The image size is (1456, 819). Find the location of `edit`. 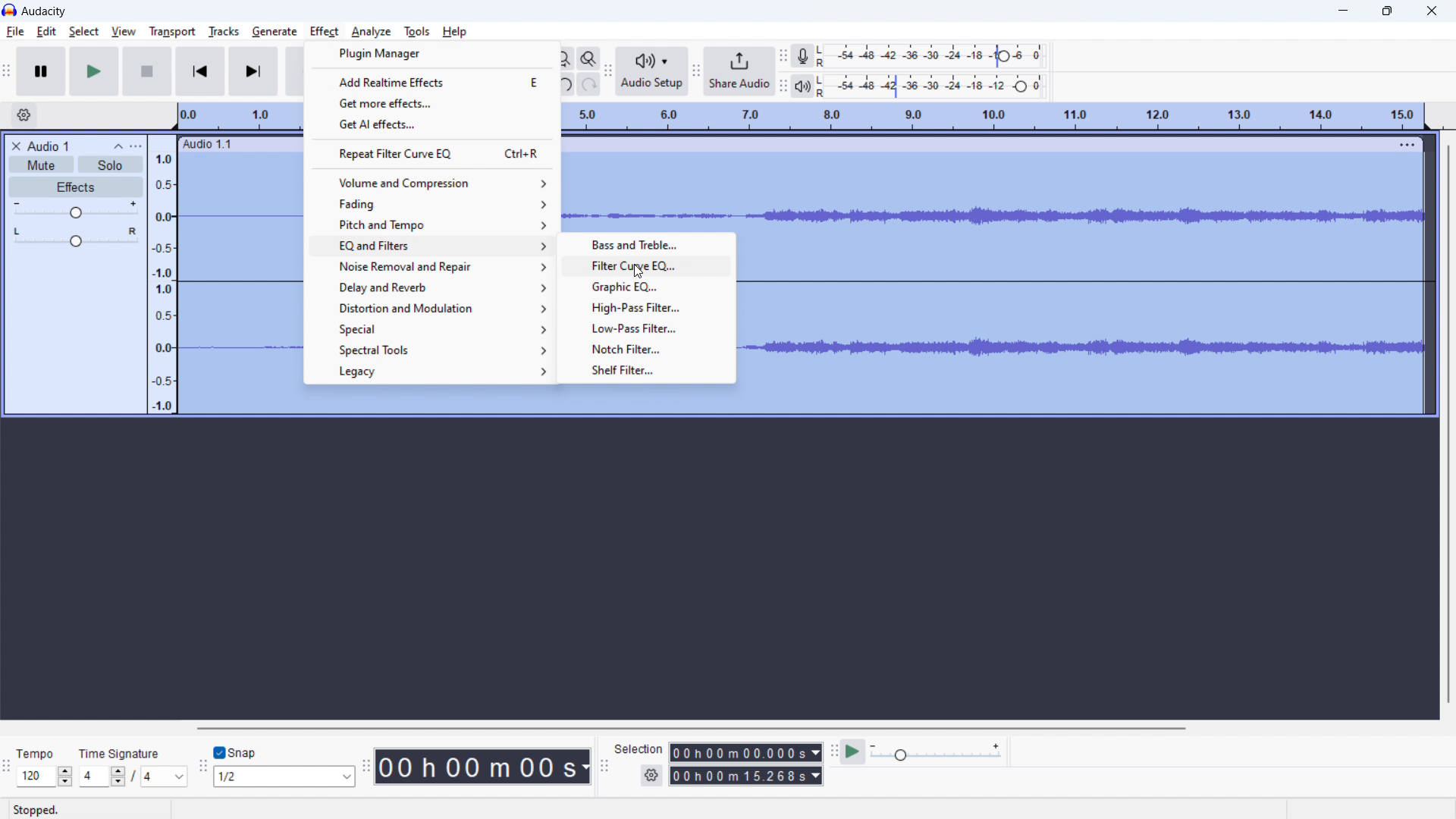

edit is located at coordinates (47, 32).